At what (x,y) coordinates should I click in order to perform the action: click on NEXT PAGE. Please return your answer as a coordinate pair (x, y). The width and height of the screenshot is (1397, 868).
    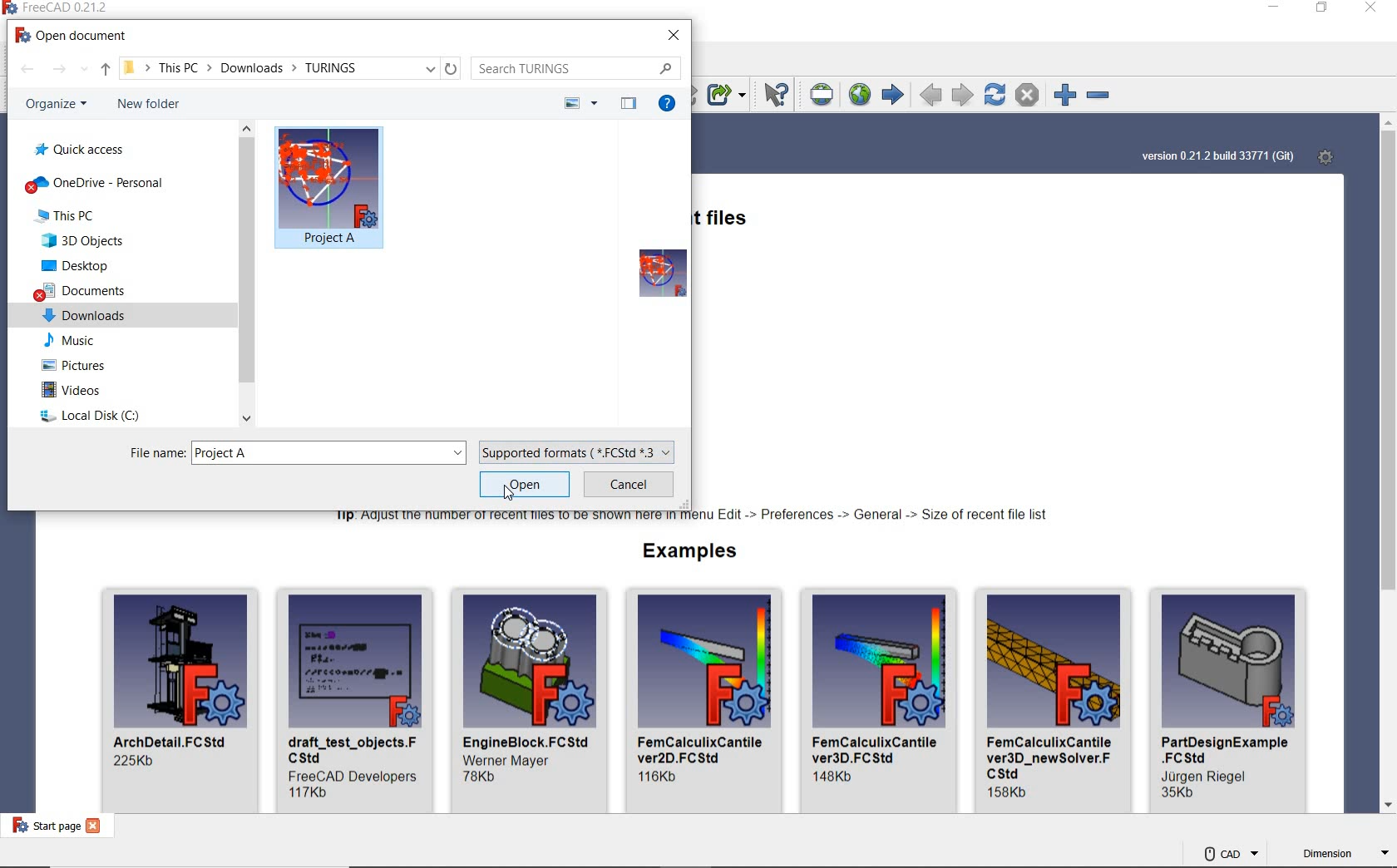
    Looking at the image, I should click on (963, 94).